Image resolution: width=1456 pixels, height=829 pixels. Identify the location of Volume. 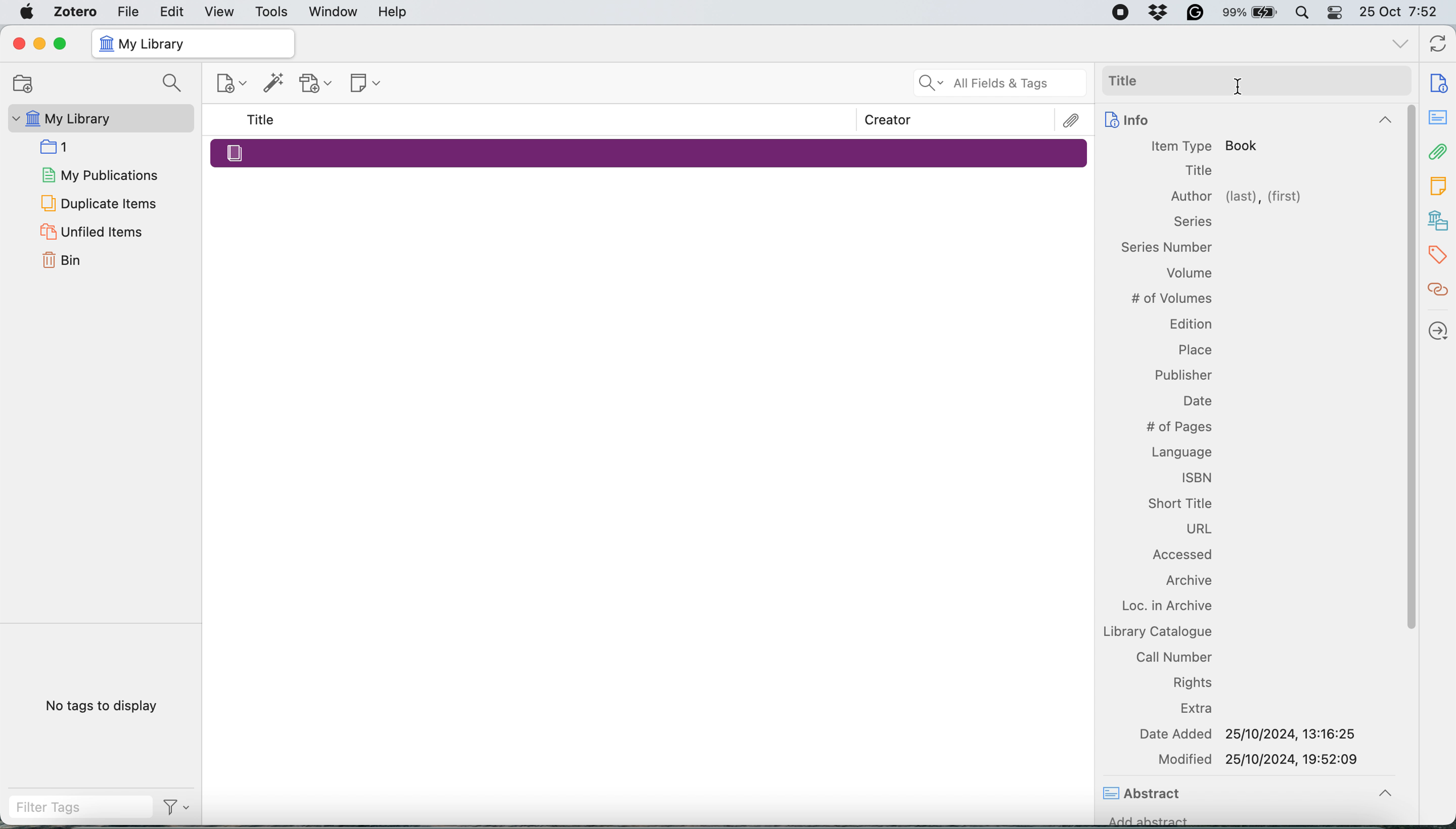
(1190, 275).